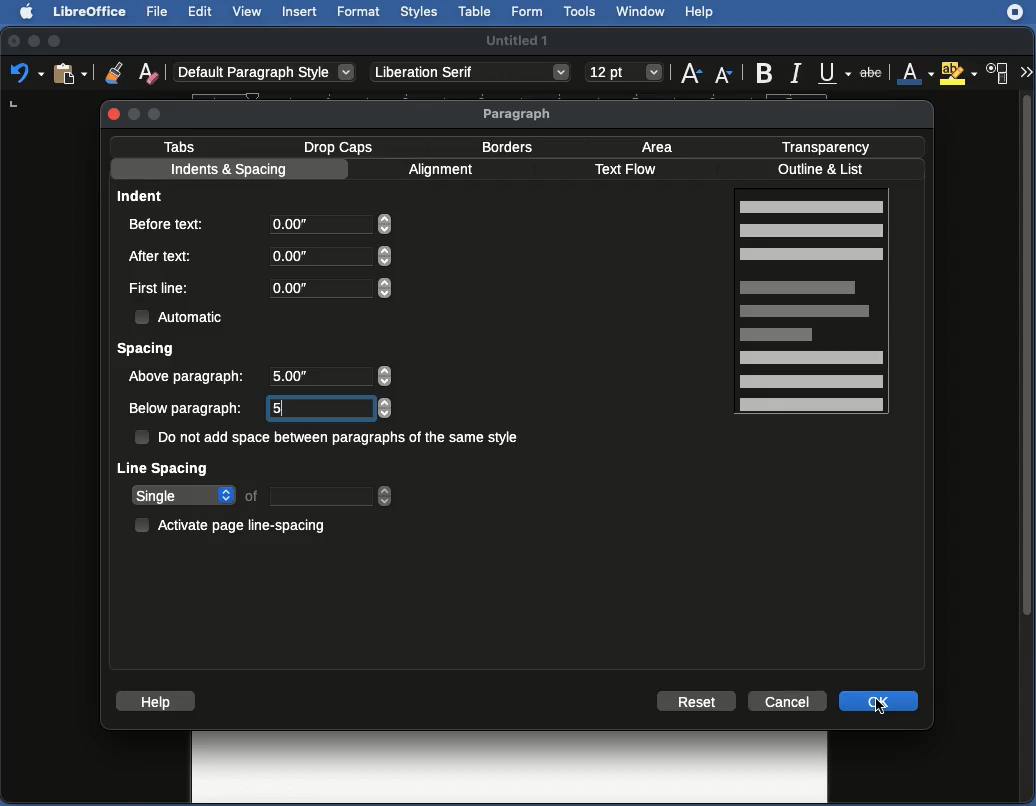 Image resolution: width=1036 pixels, height=806 pixels. Describe the element at coordinates (358, 12) in the screenshot. I see `Format ` at that location.